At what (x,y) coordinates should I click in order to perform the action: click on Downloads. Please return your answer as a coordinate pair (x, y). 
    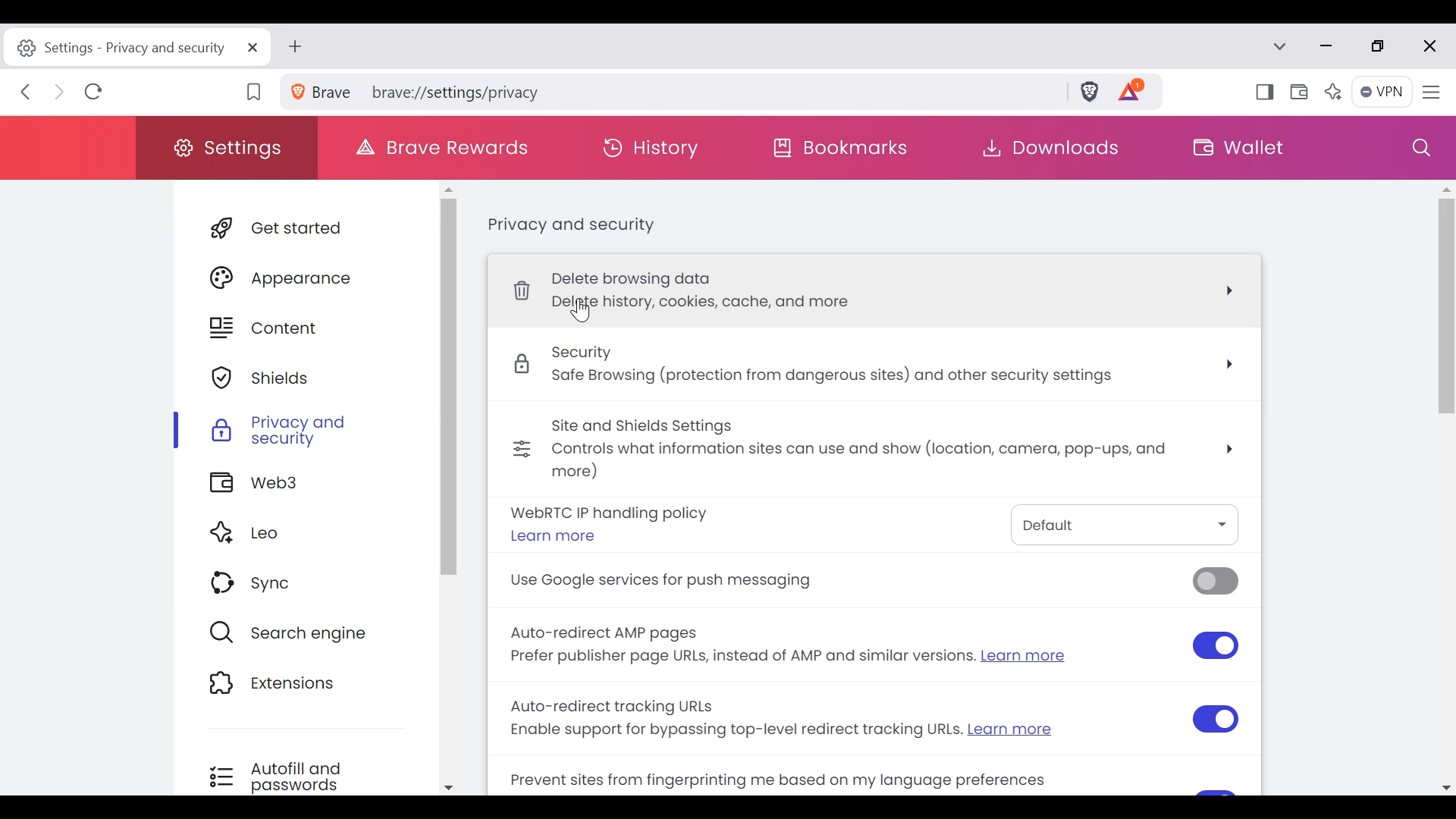
    Looking at the image, I should click on (1047, 148).